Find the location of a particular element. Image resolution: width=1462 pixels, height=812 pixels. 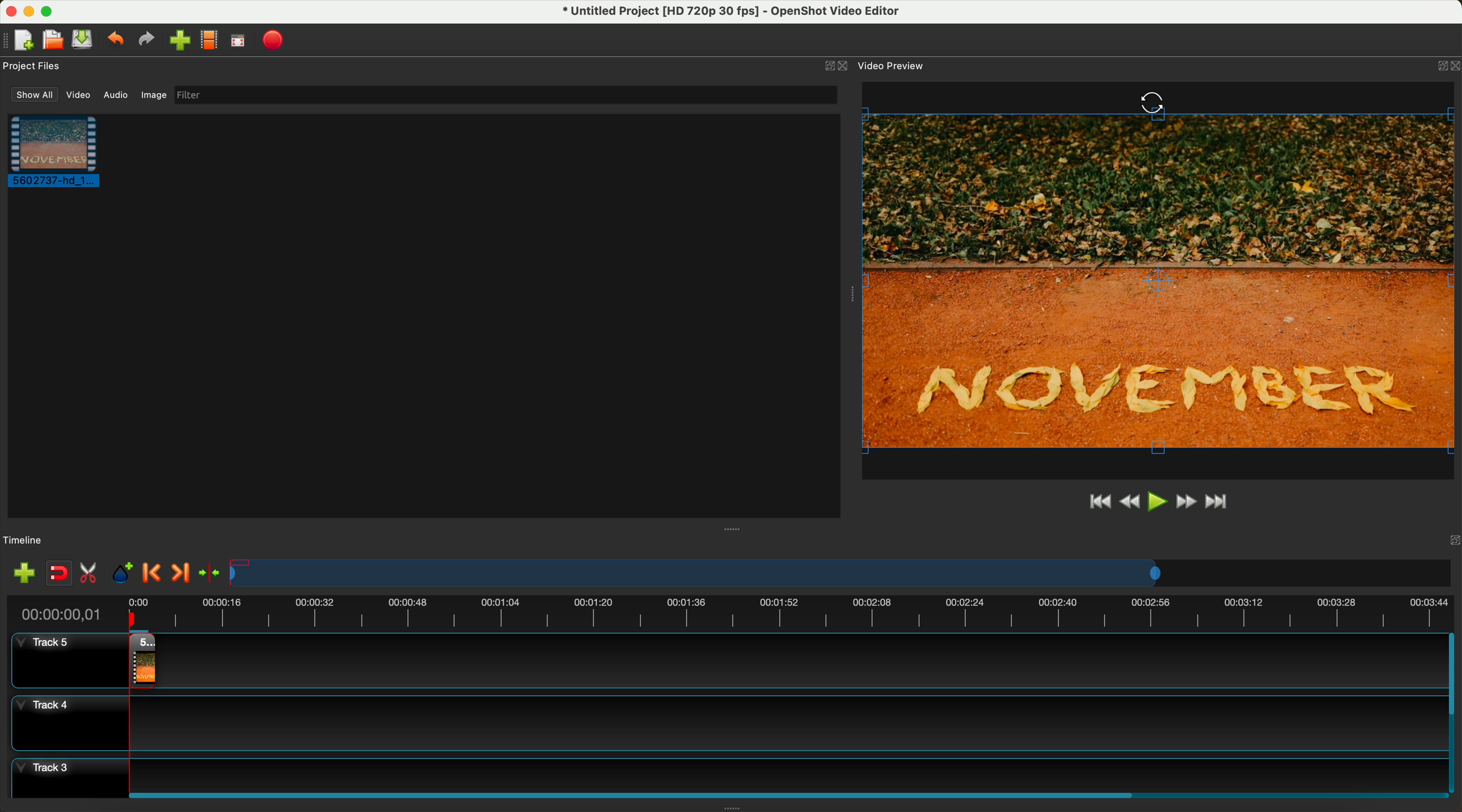

project files is located at coordinates (33, 65).